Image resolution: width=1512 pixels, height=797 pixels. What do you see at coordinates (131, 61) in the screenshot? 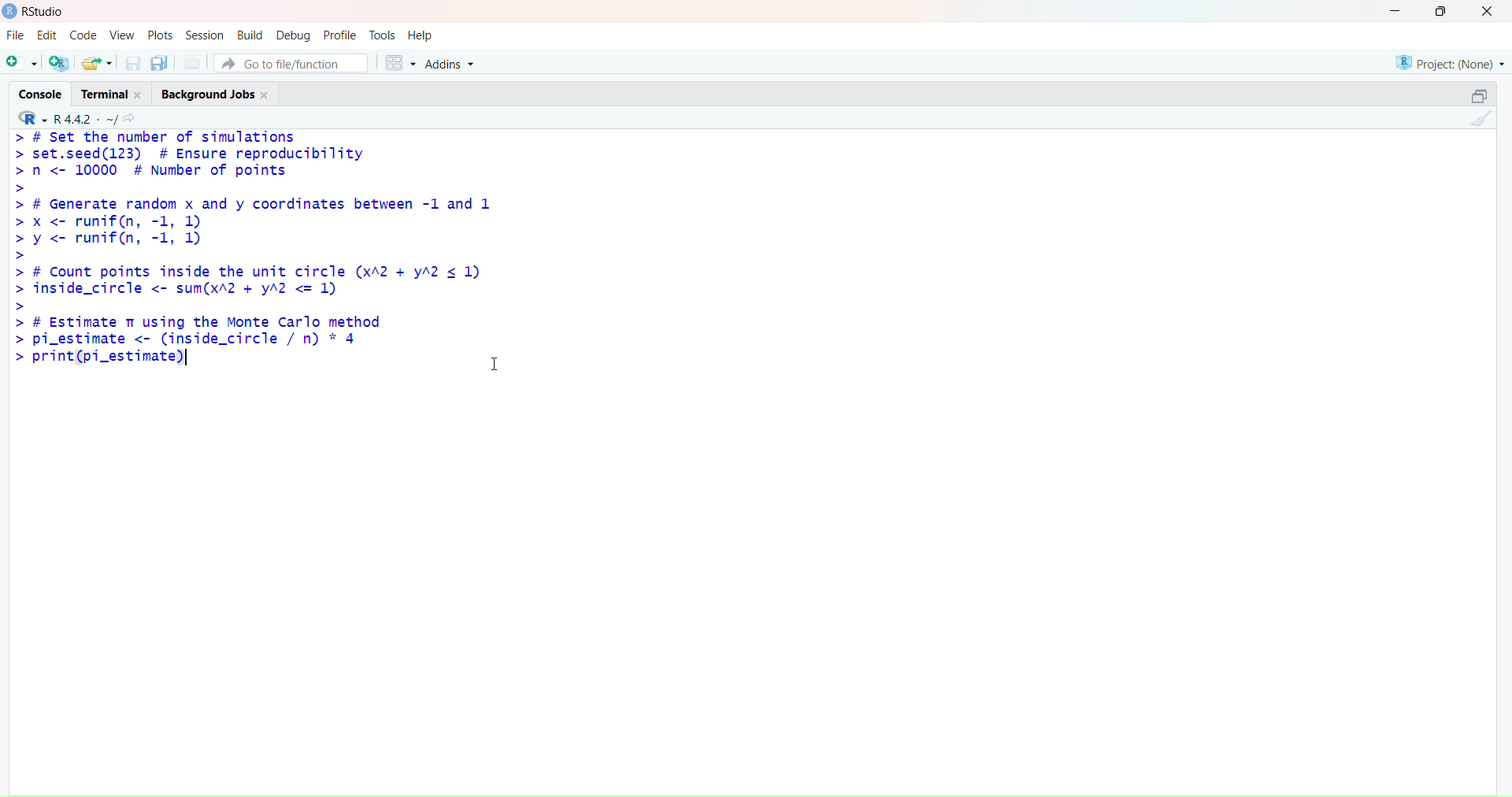
I see `Save current document (Ctrl + S)` at bounding box center [131, 61].